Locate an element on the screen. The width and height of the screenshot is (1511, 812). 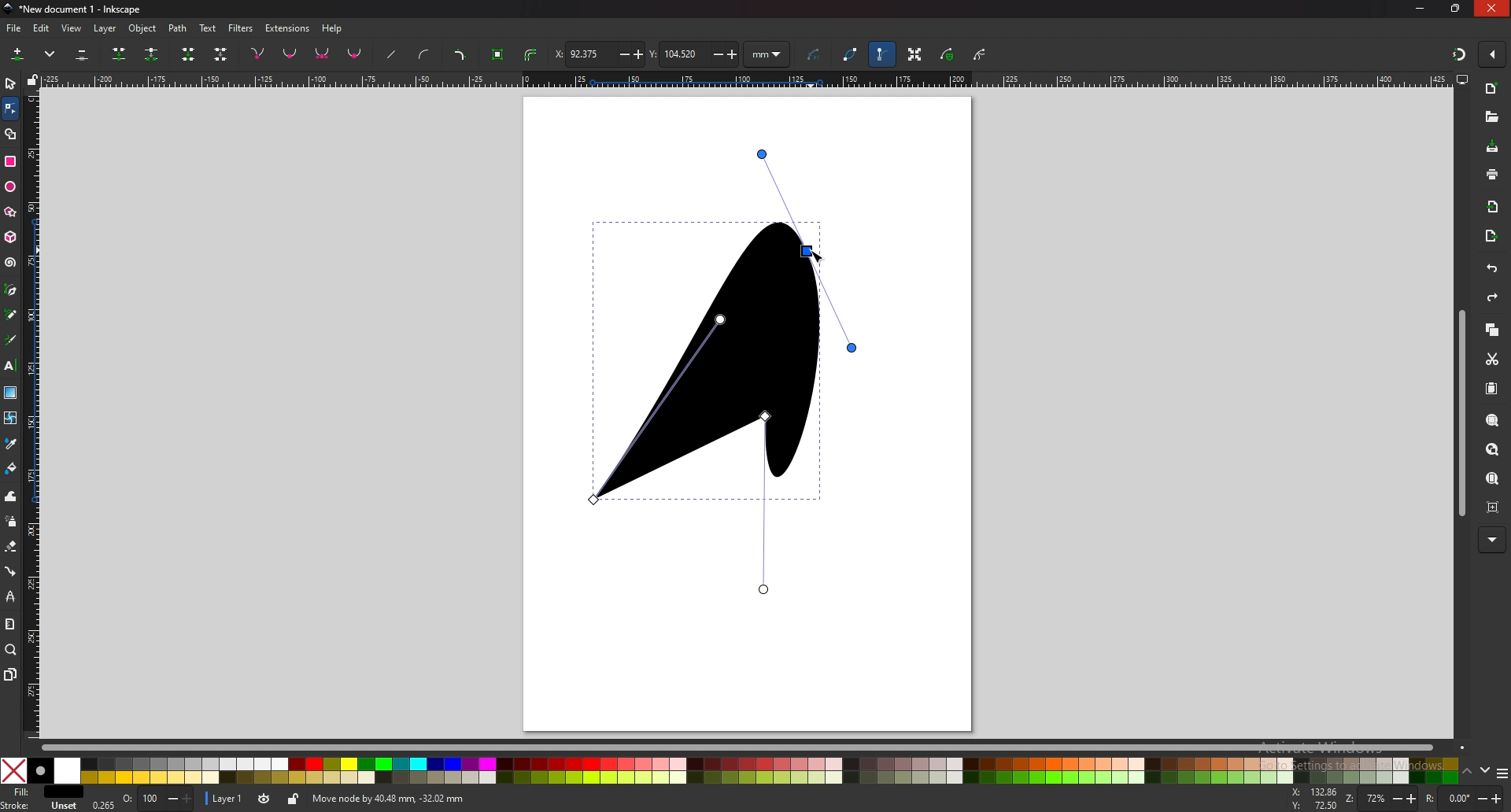
path outline is located at coordinates (849, 53).